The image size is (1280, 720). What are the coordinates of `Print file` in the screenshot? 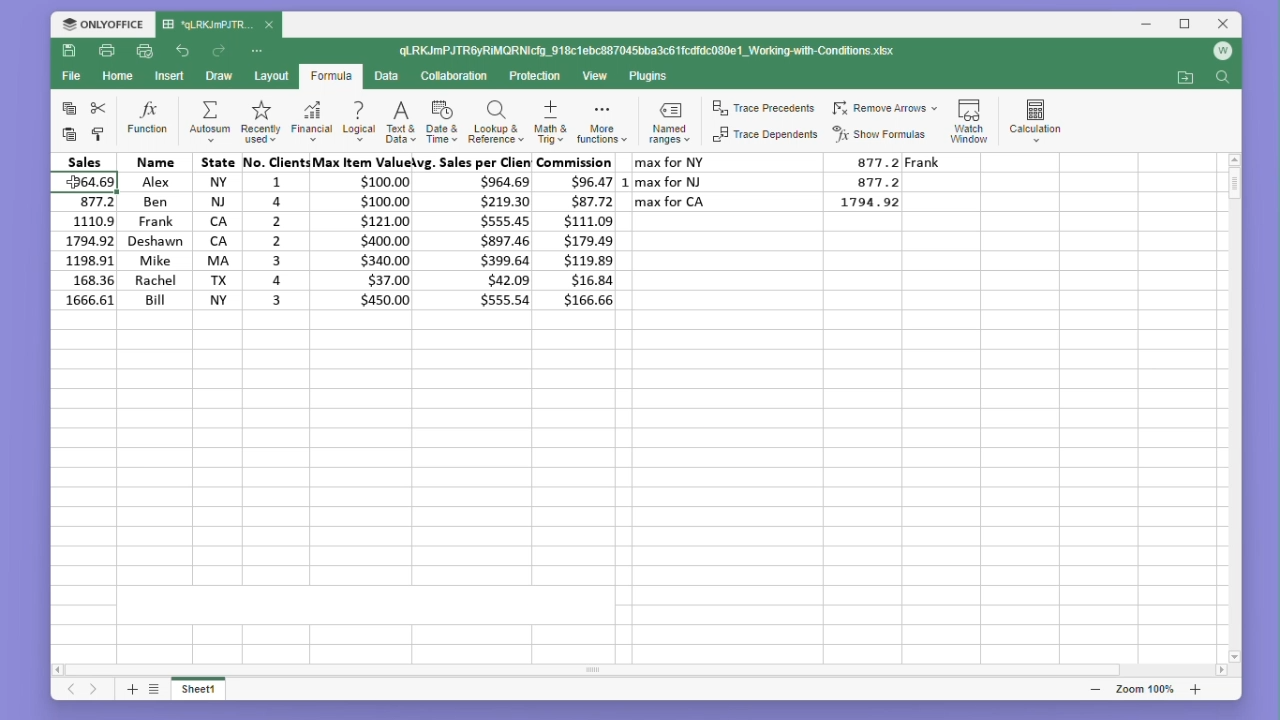 It's located at (106, 50).